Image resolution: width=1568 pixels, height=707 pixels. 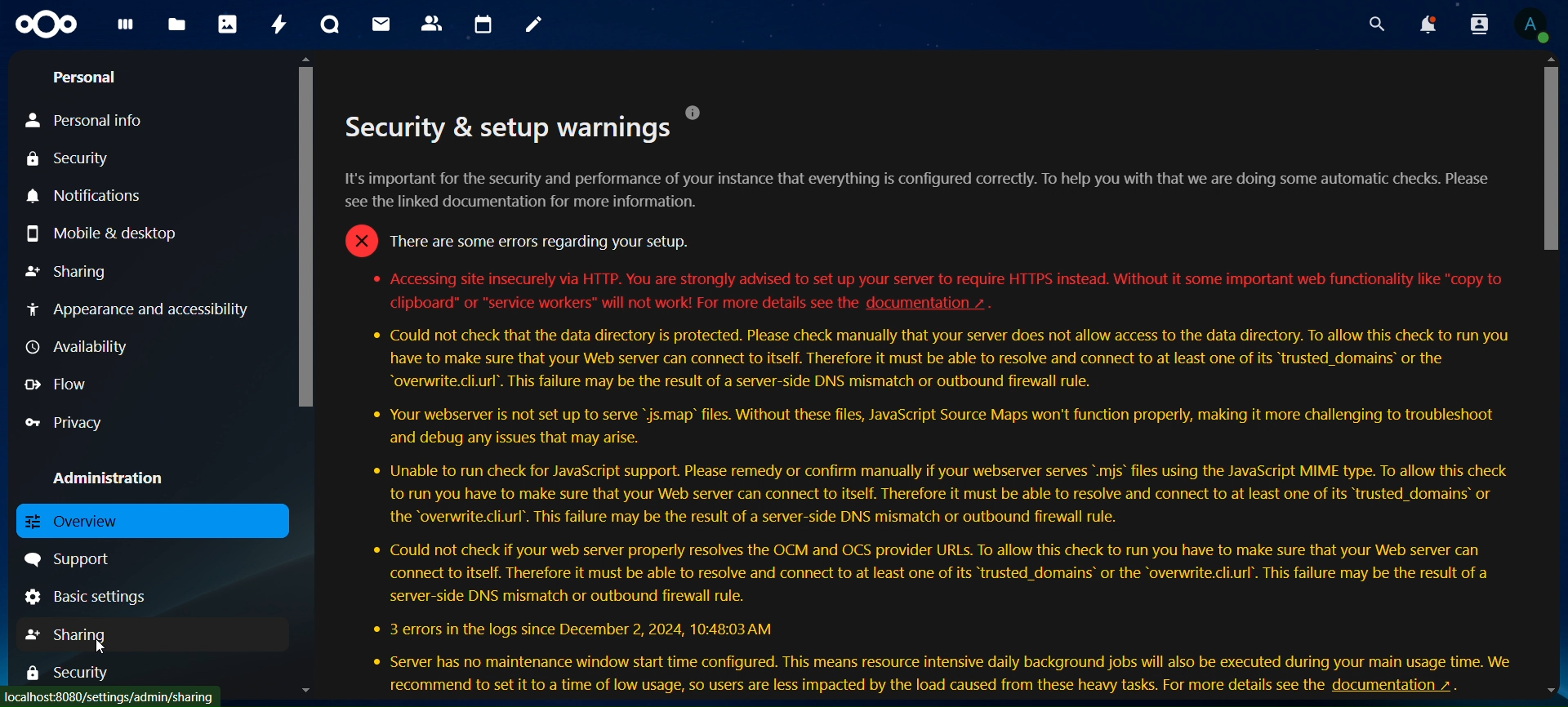 I want to click on localhost8080/settings/admin/overview, so click(x=116, y=695).